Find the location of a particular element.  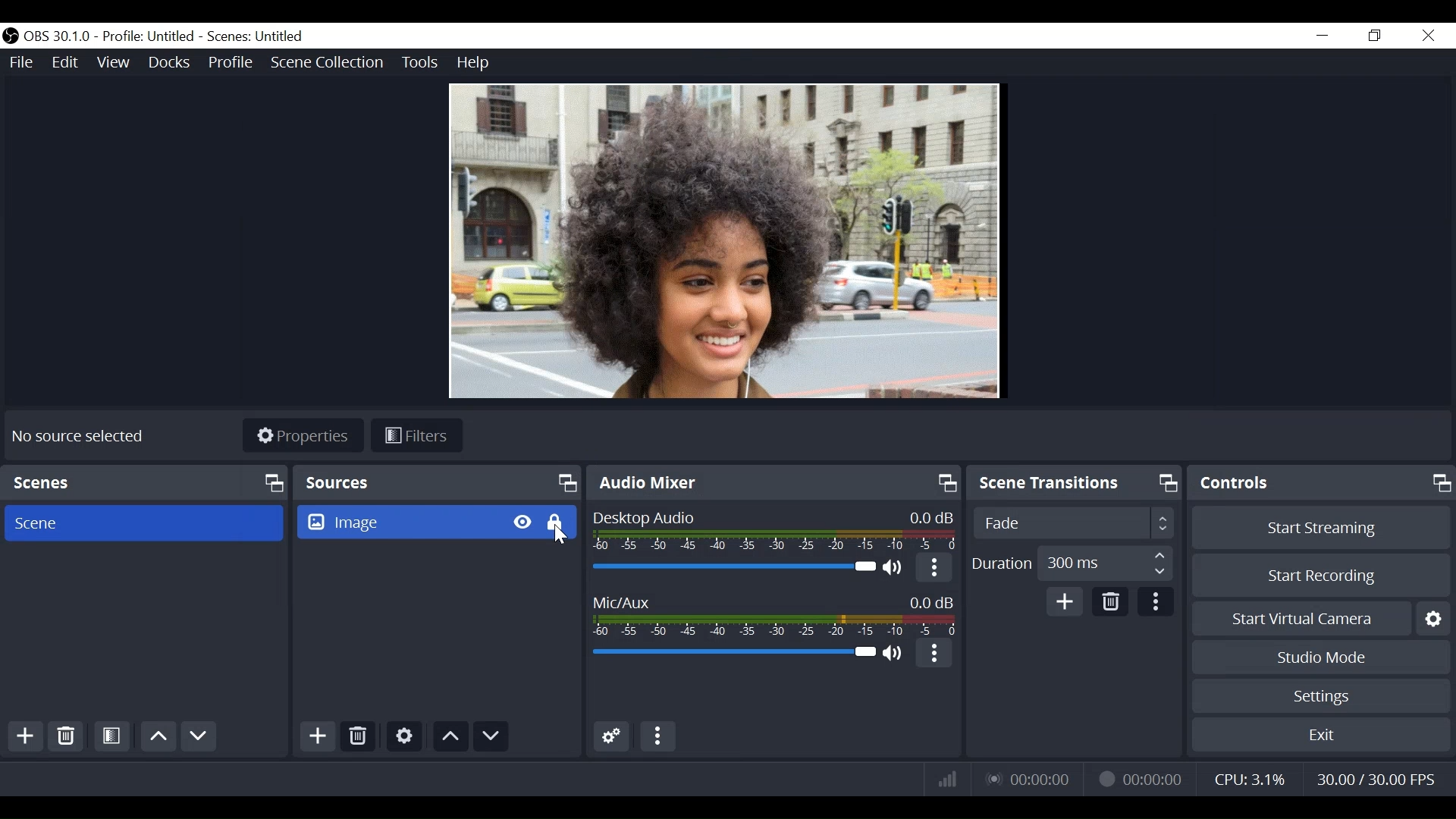

Controls is located at coordinates (1320, 485).